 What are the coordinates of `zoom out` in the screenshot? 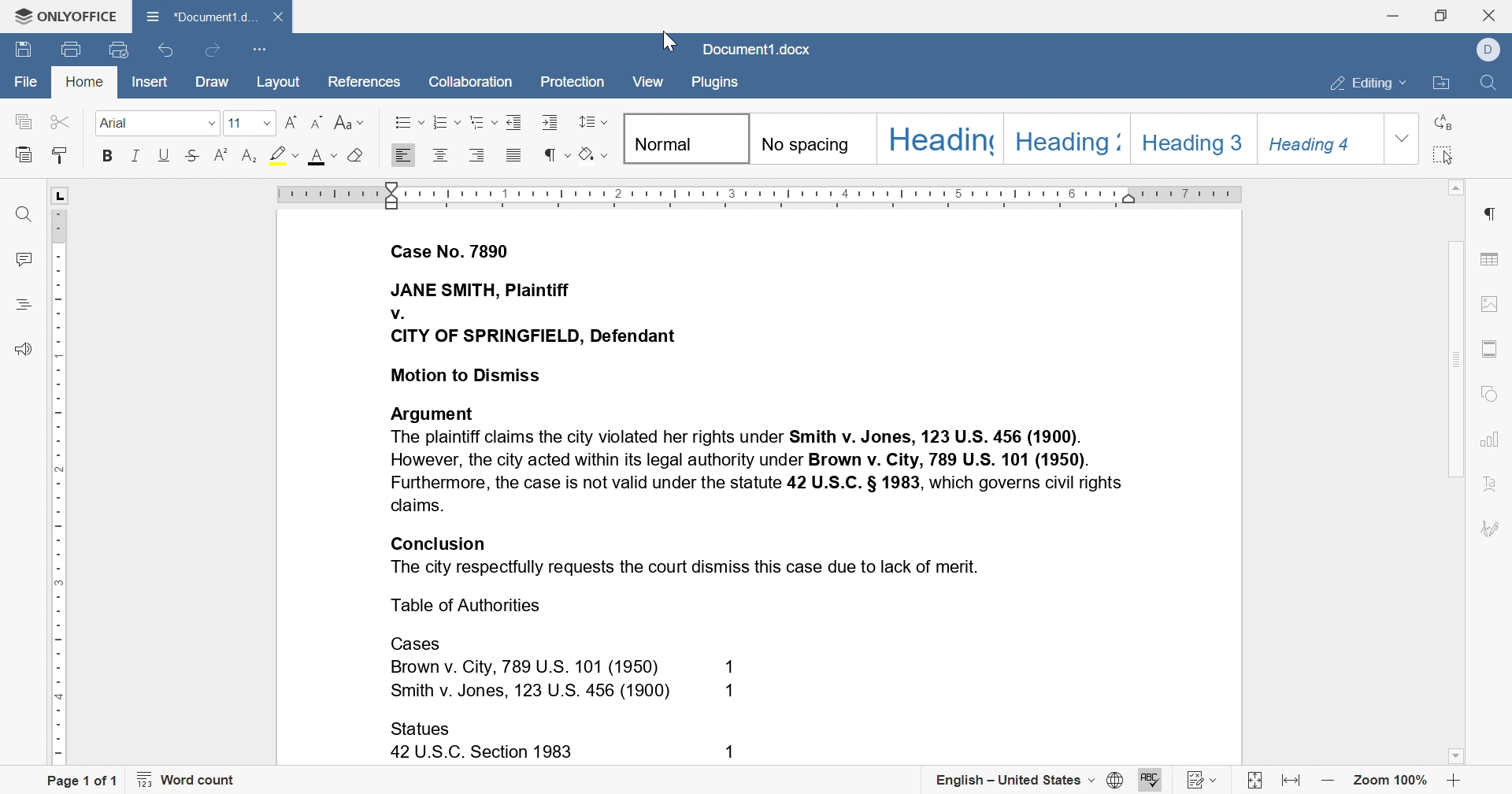 It's located at (1328, 783).